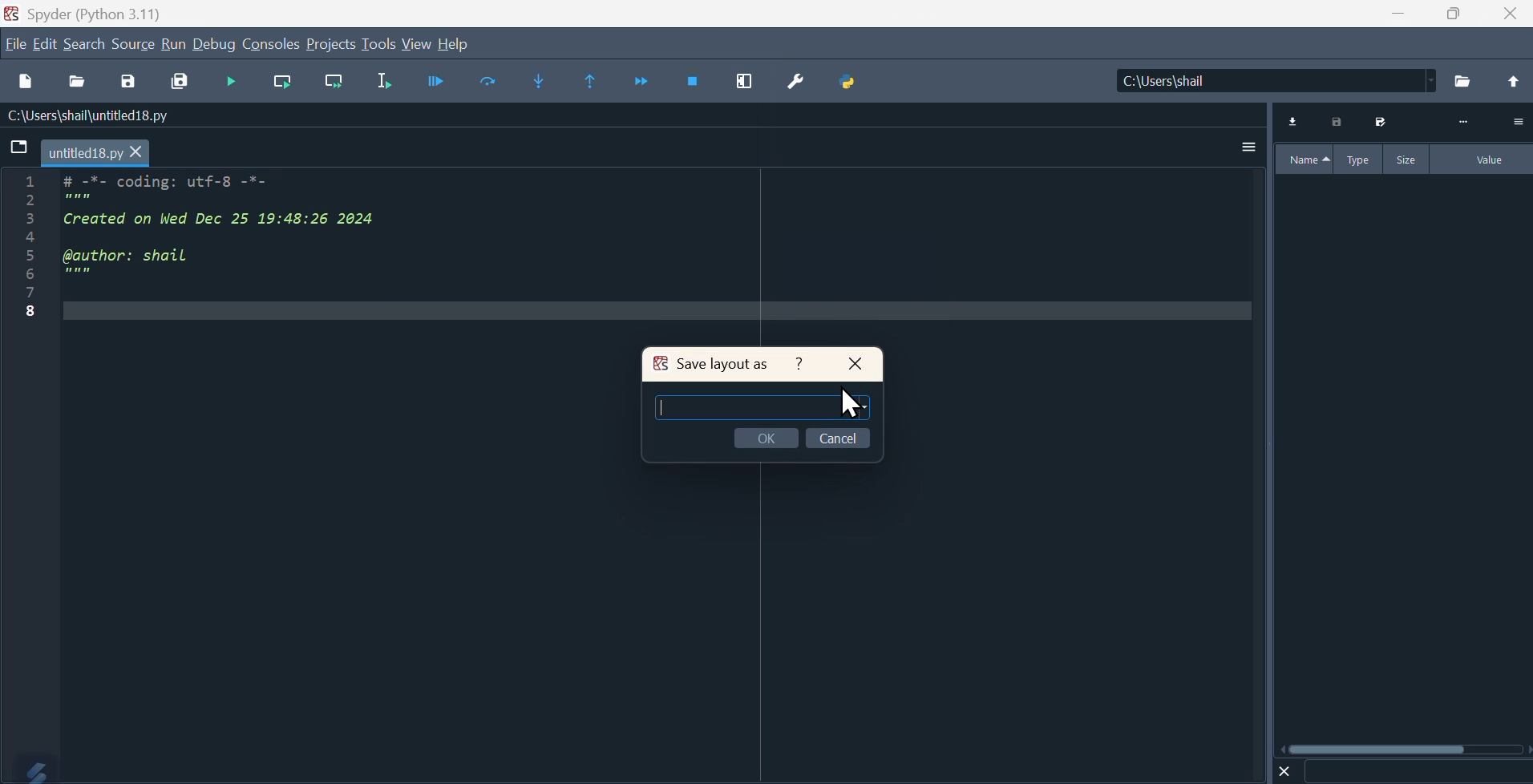 Image resolution: width=1533 pixels, height=784 pixels. What do you see at coordinates (743, 83) in the screenshot?
I see `Maximise current window` at bounding box center [743, 83].